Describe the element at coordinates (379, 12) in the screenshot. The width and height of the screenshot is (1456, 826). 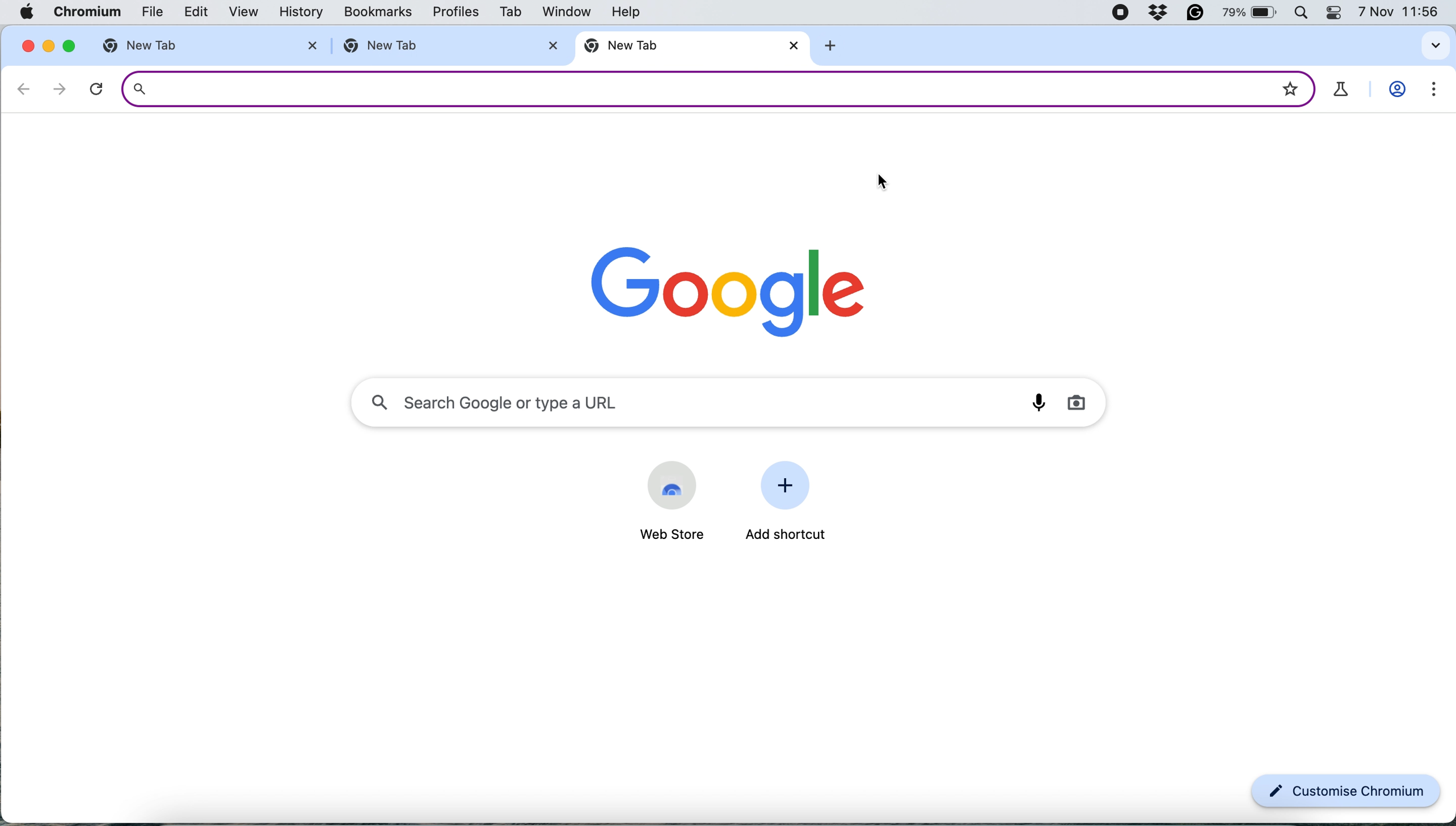
I see `bookmarks` at that location.